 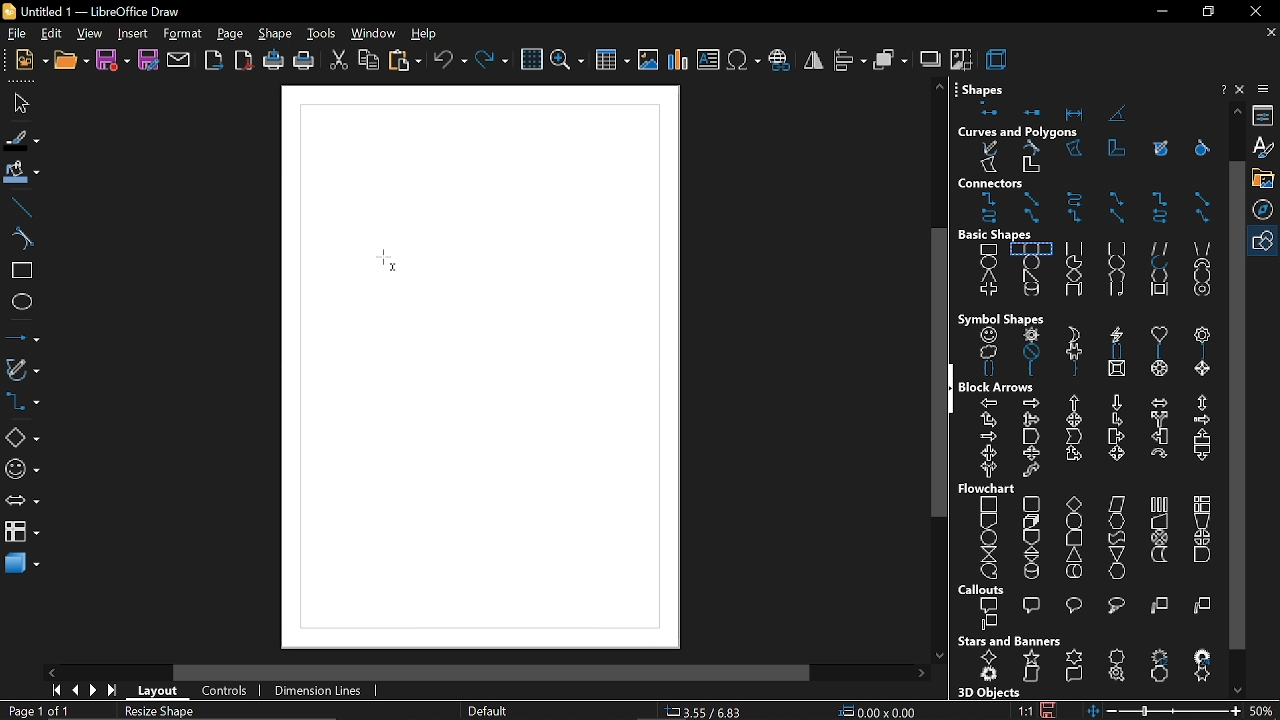 I want to click on move left, so click(x=54, y=672).